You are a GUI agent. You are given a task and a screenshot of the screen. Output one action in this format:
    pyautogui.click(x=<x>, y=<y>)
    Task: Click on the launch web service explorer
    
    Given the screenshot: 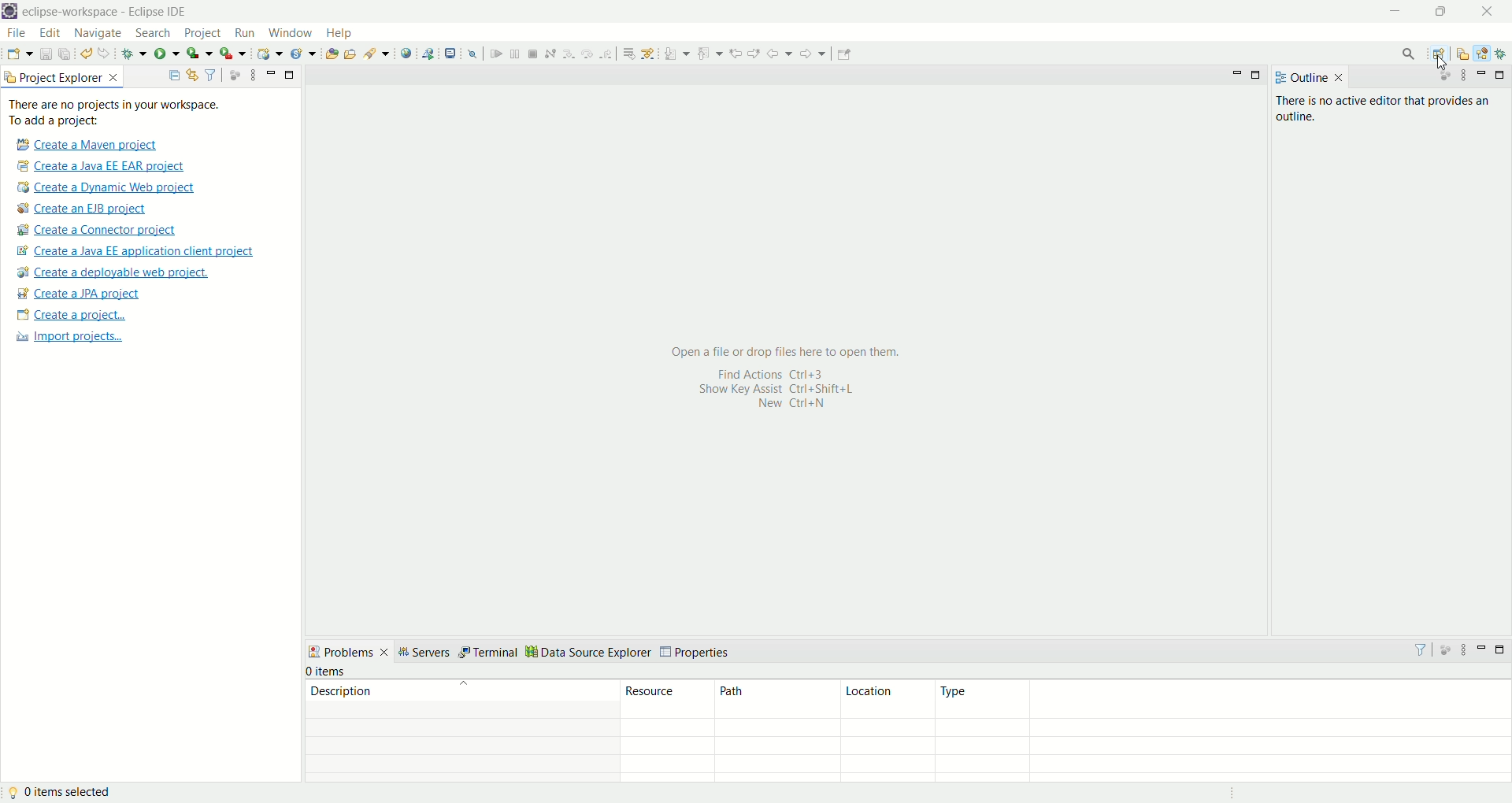 What is the action you would take?
    pyautogui.click(x=429, y=54)
    